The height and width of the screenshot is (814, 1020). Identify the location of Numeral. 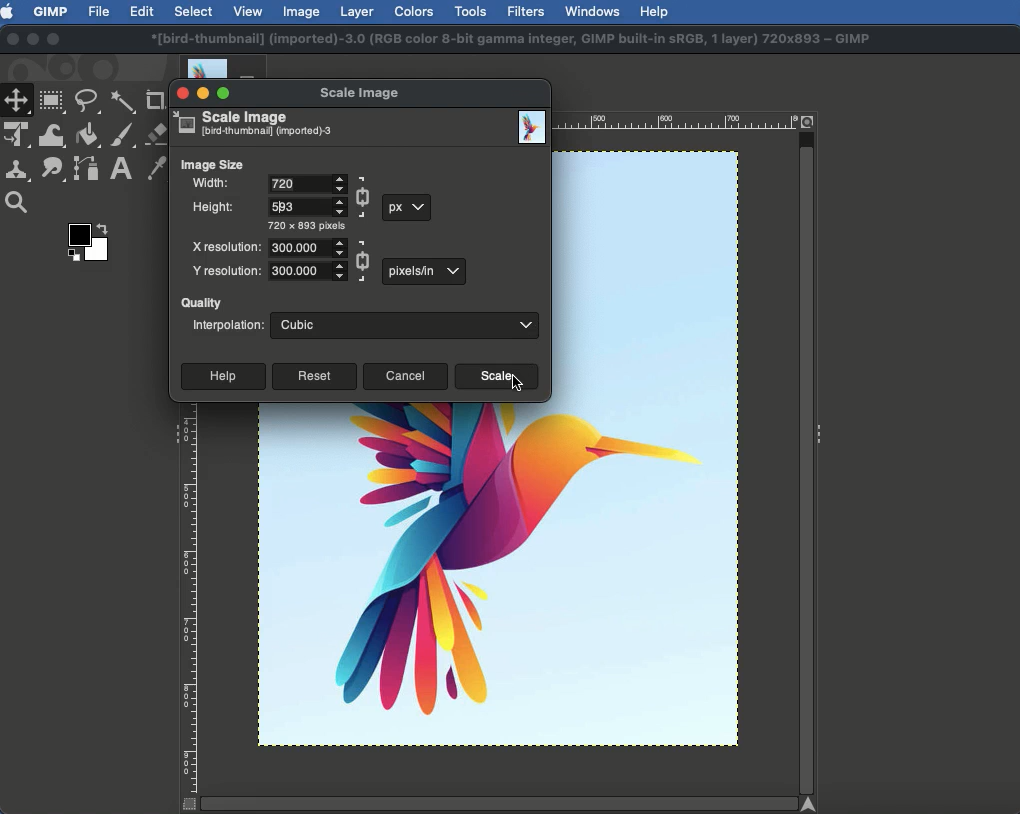
(305, 205).